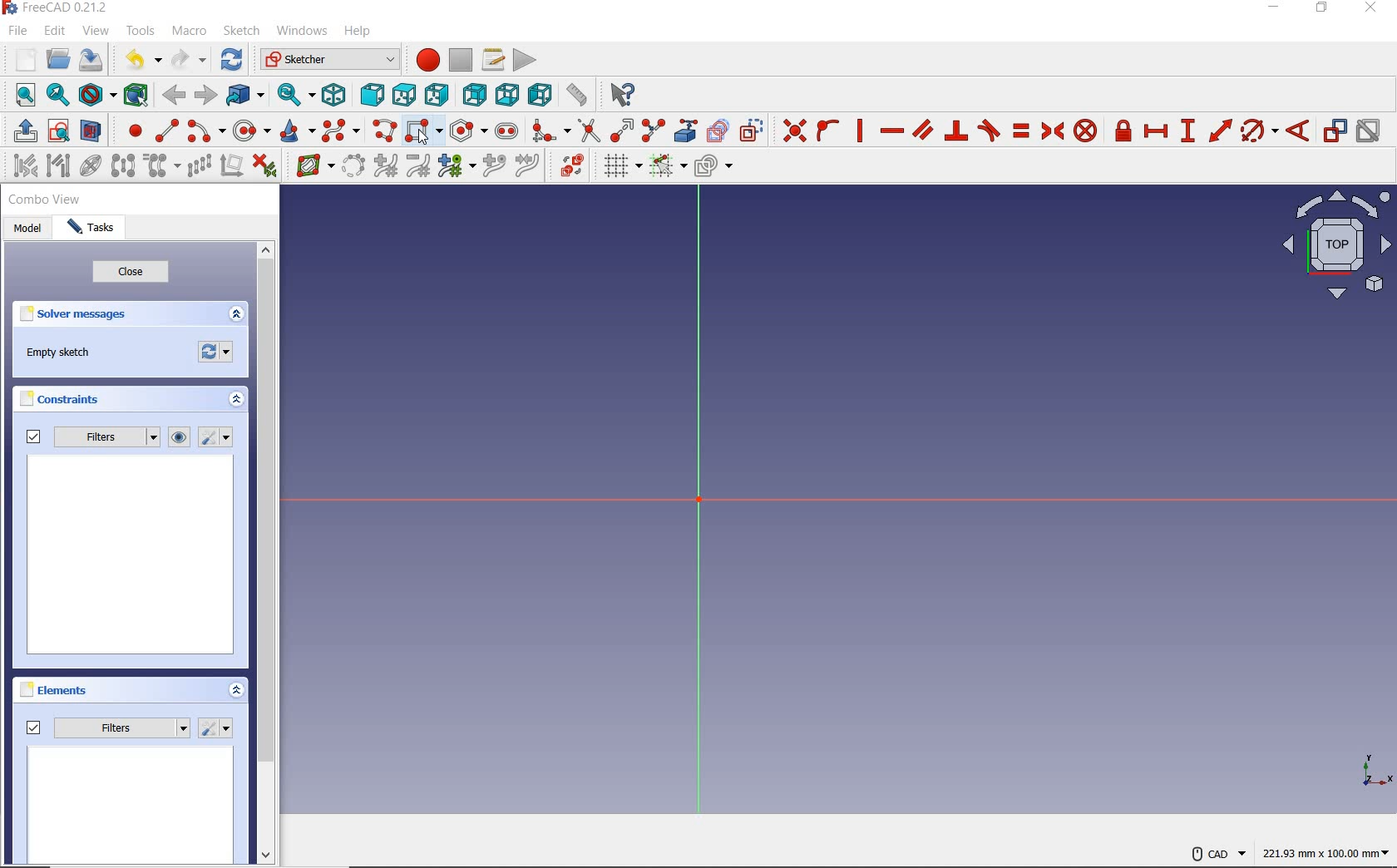  What do you see at coordinates (1335, 131) in the screenshot?
I see `toggle driving` at bounding box center [1335, 131].